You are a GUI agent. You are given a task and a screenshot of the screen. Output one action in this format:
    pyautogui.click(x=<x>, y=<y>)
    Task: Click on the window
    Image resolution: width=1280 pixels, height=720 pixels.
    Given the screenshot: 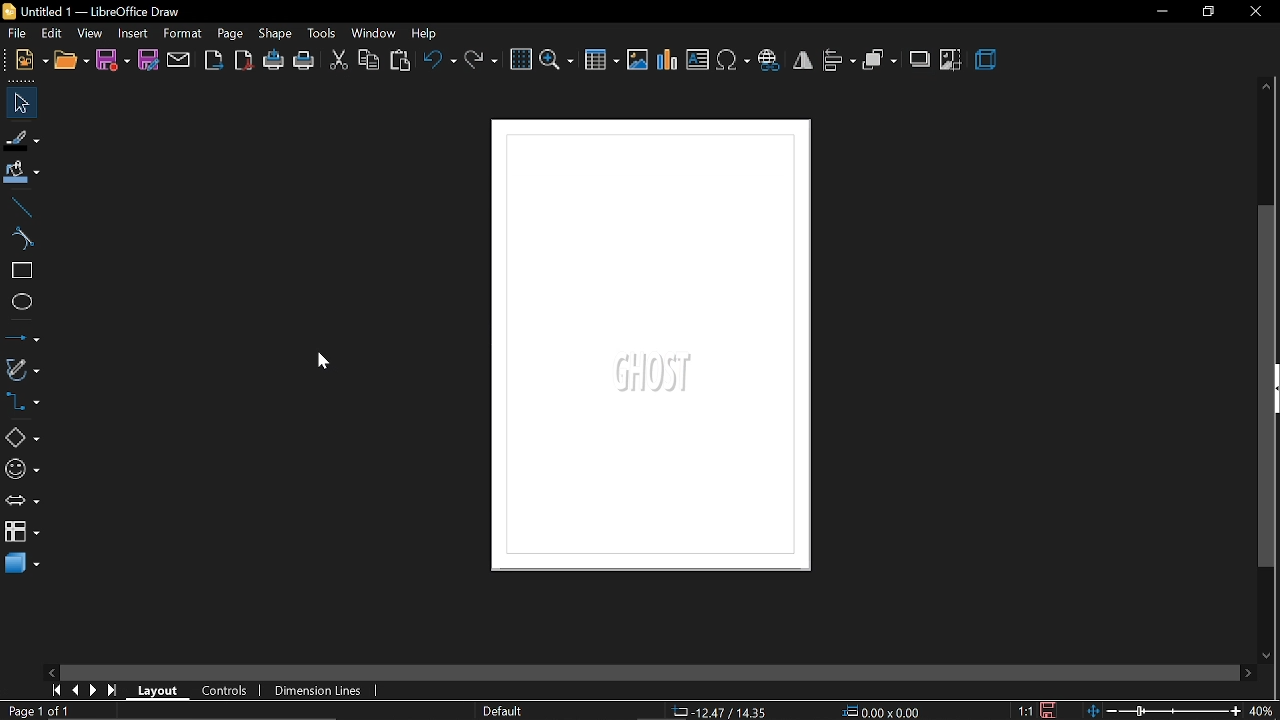 What is the action you would take?
    pyautogui.click(x=375, y=33)
    